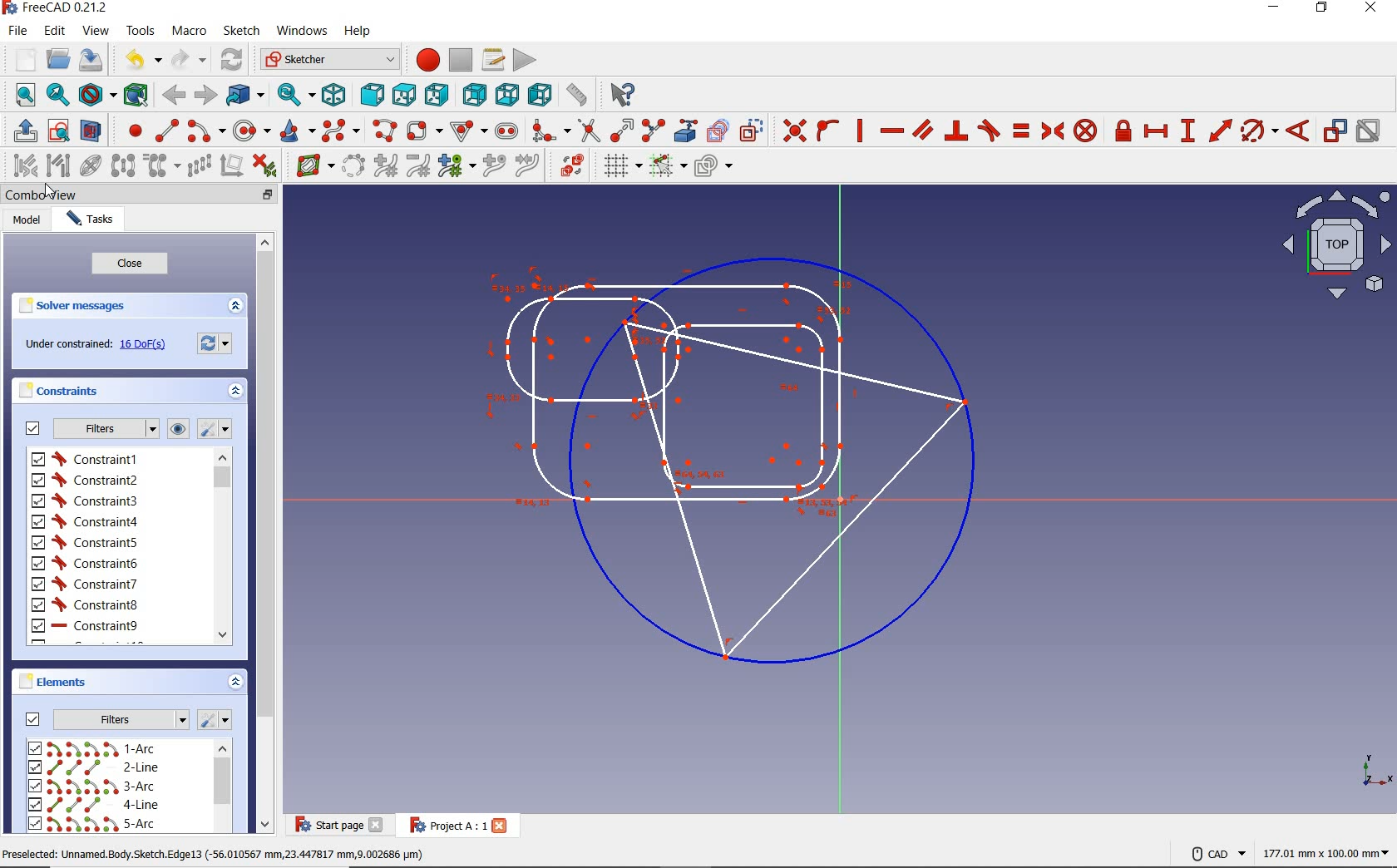 This screenshot has width=1397, height=868. Describe the element at coordinates (85, 605) in the screenshot. I see `constraint8` at that location.